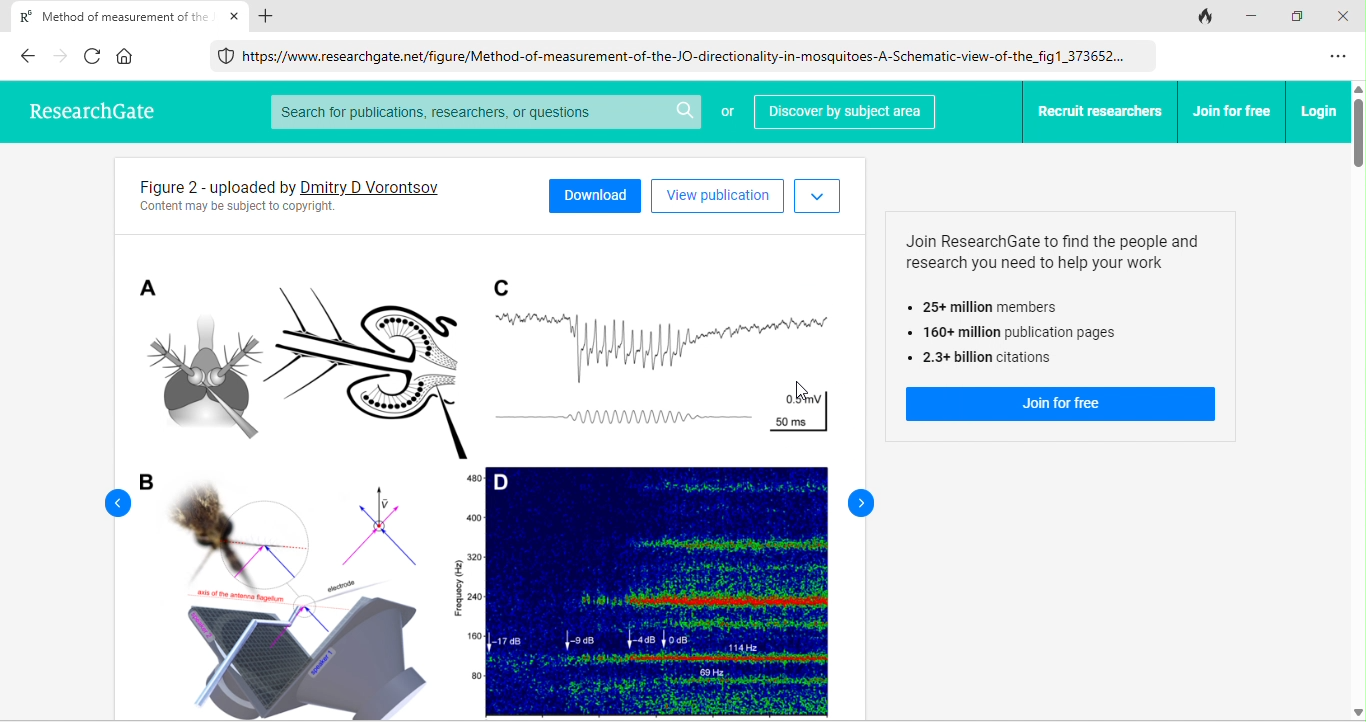 This screenshot has height=722, width=1366. What do you see at coordinates (1302, 17) in the screenshot?
I see `maximize` at bounding box center [1302, 17].